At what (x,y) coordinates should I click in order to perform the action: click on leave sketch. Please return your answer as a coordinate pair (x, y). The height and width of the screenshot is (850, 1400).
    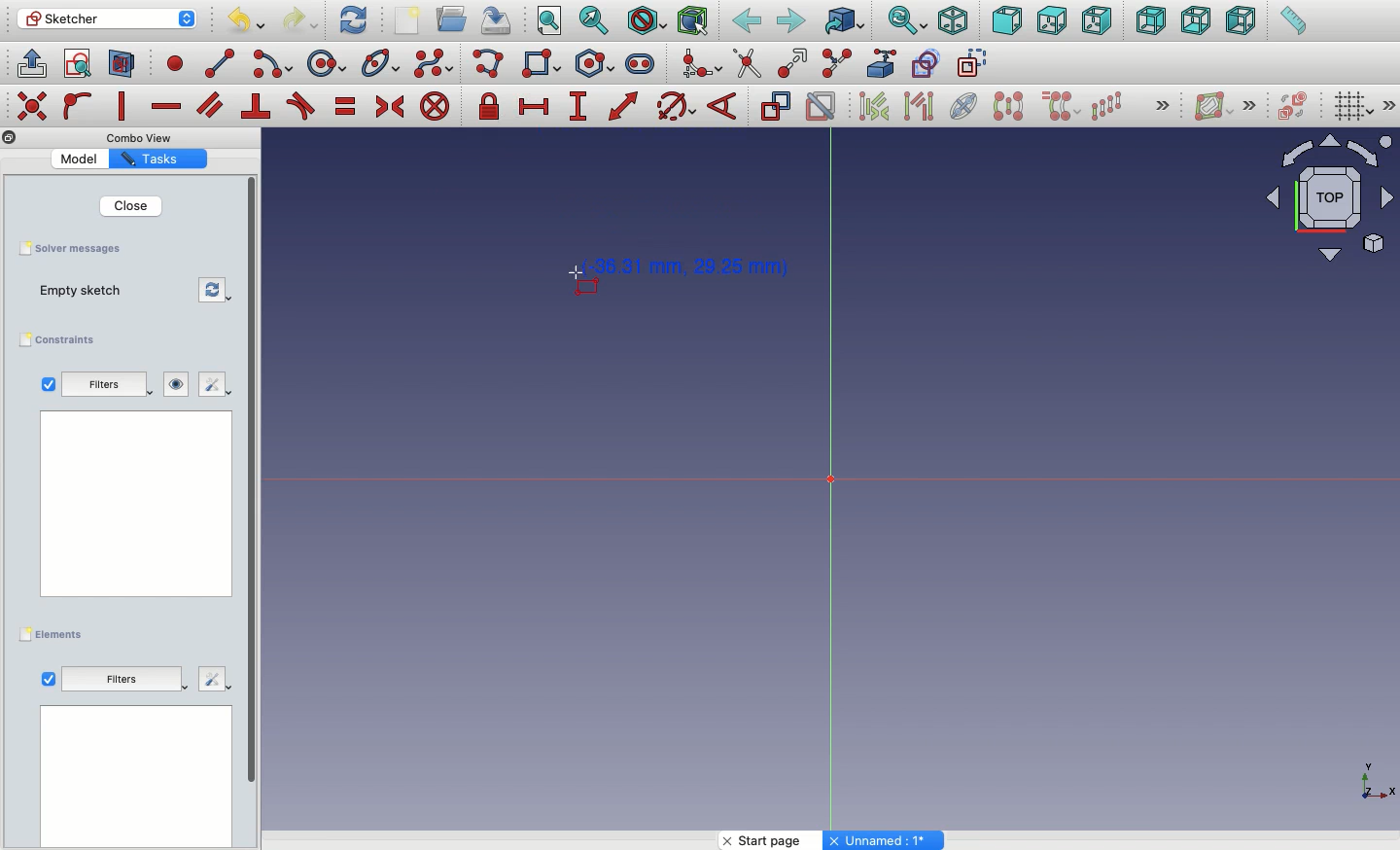
    Looking at the image, I should click on (30, 62).